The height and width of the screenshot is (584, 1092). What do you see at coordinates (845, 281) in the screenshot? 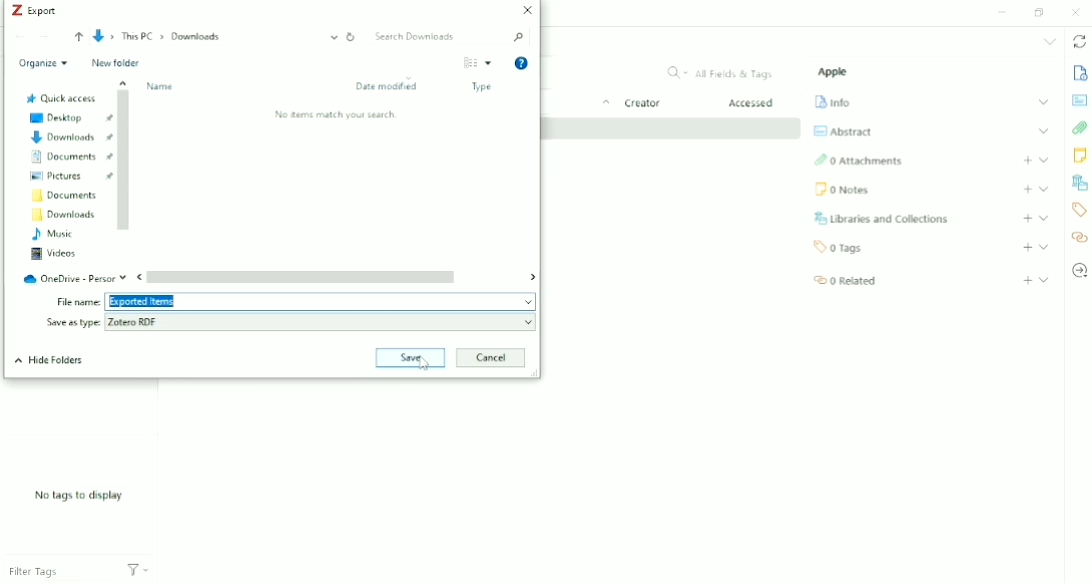
I see `Related` at bounding box center [845, 281].